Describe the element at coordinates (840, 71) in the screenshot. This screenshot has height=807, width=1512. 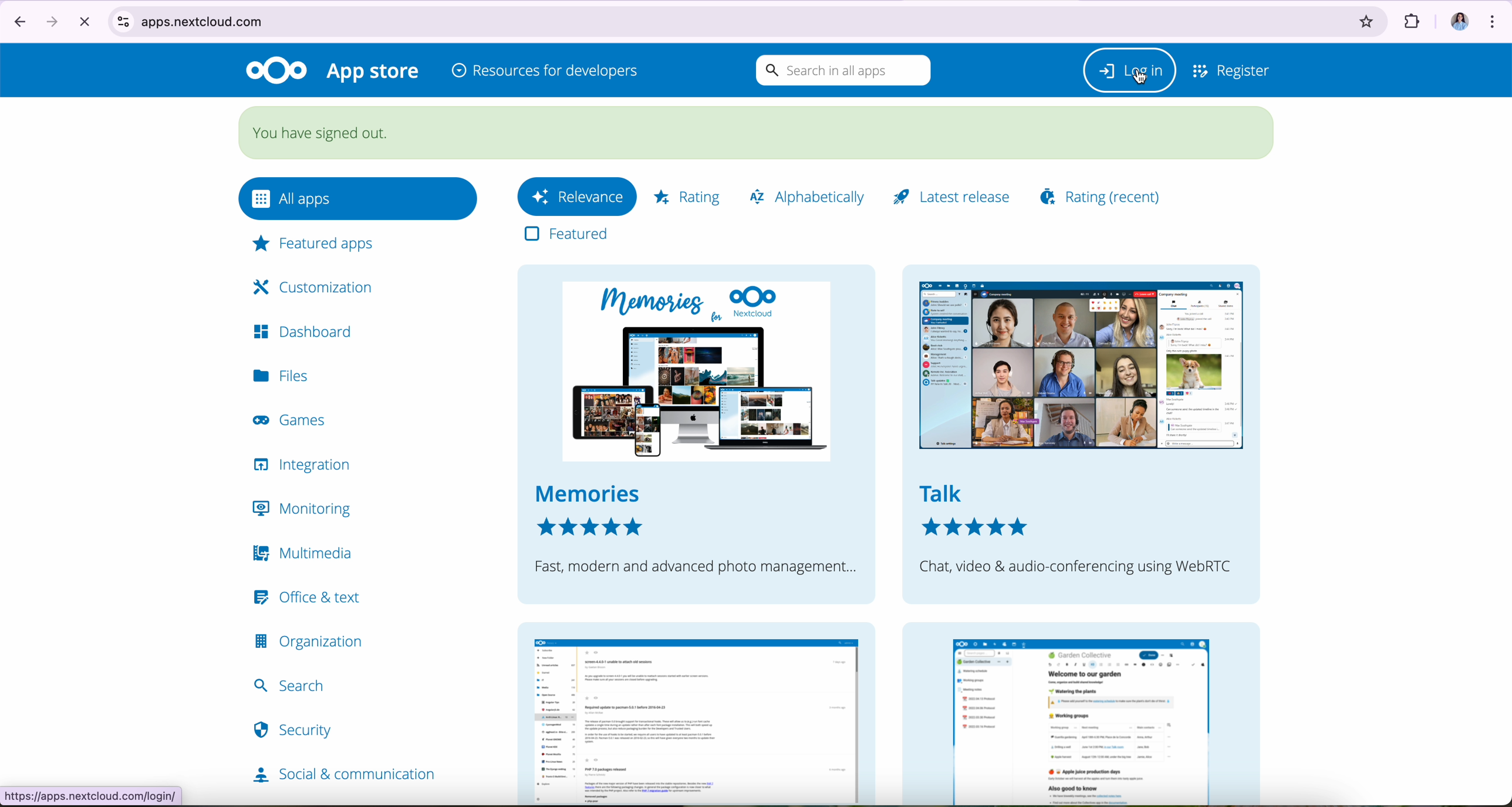
I see `search bar` at that location.